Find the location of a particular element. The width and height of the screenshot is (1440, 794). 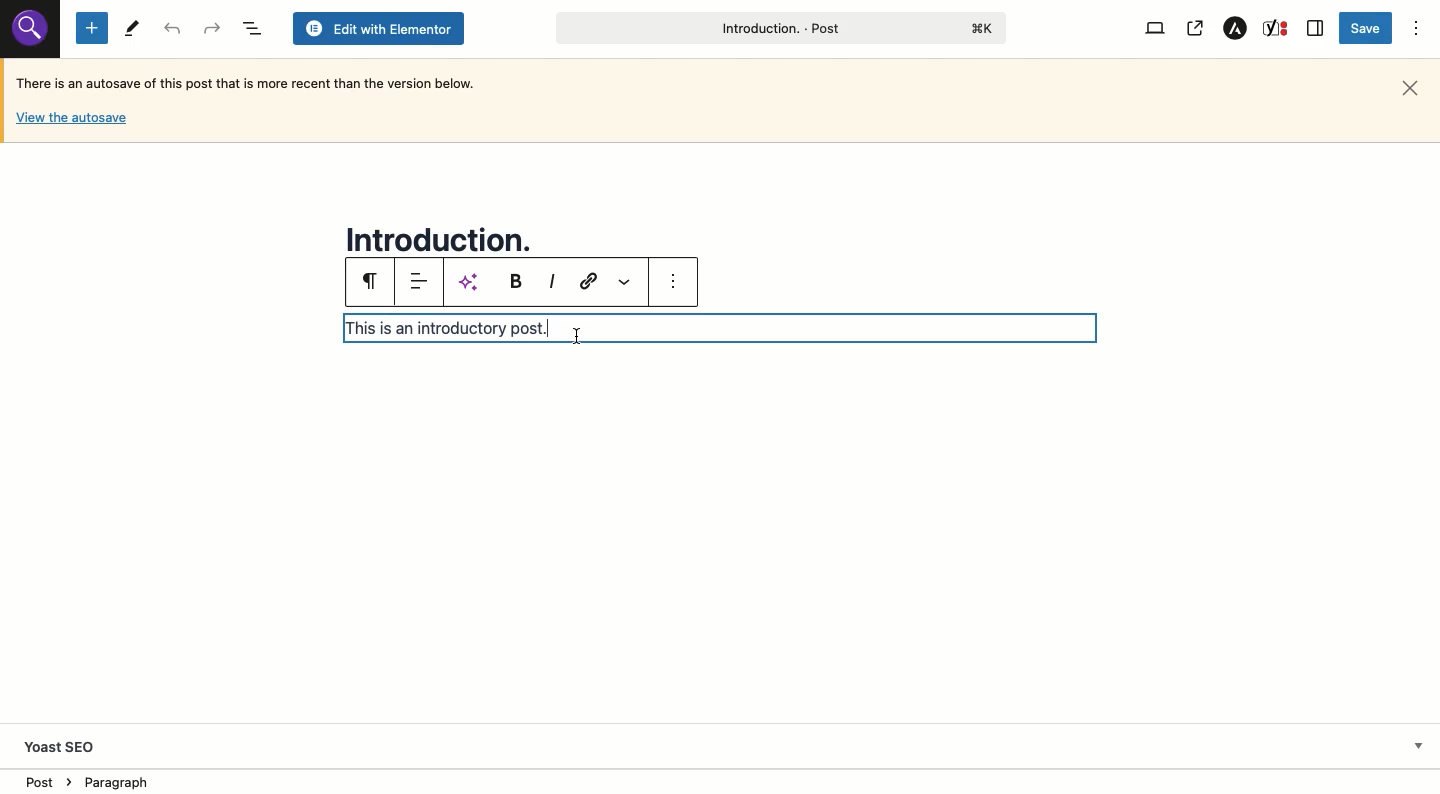

Astar is located at coordinates (1236, 29).